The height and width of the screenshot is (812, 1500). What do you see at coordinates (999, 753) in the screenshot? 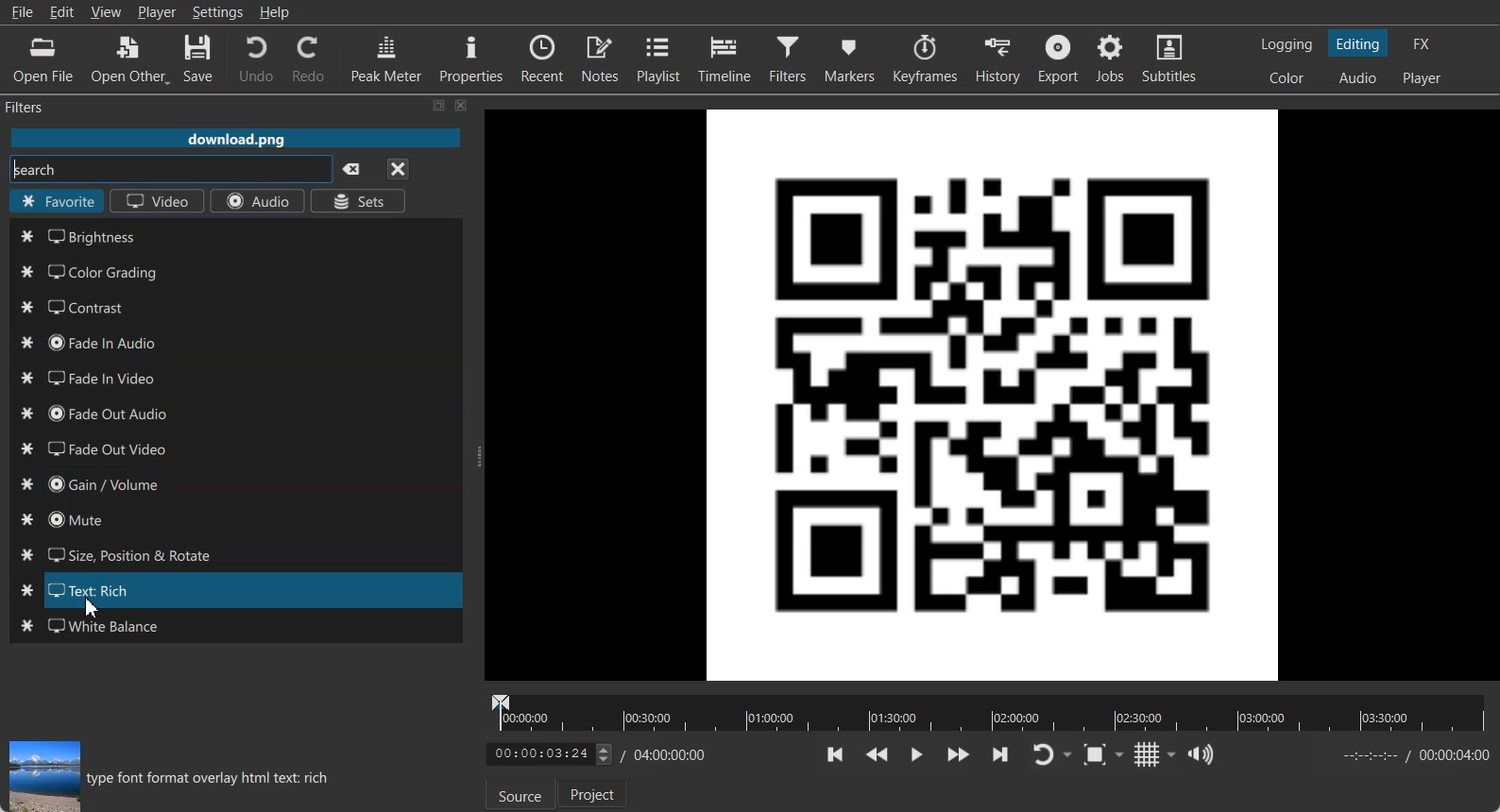
I see `Skip to the next point` at bounding box center [999, 753].